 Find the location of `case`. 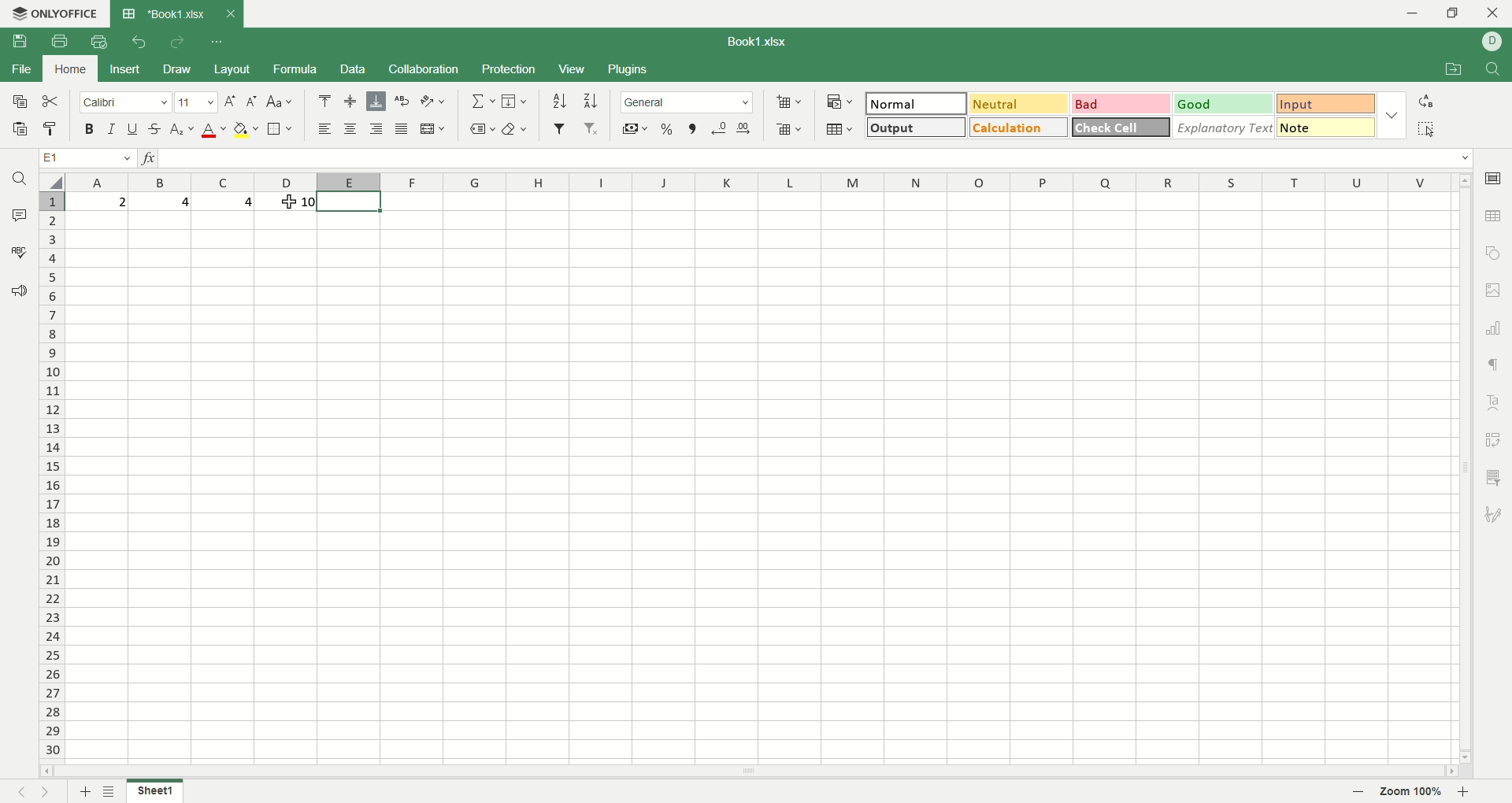

case is located at coordinates (280, 101).